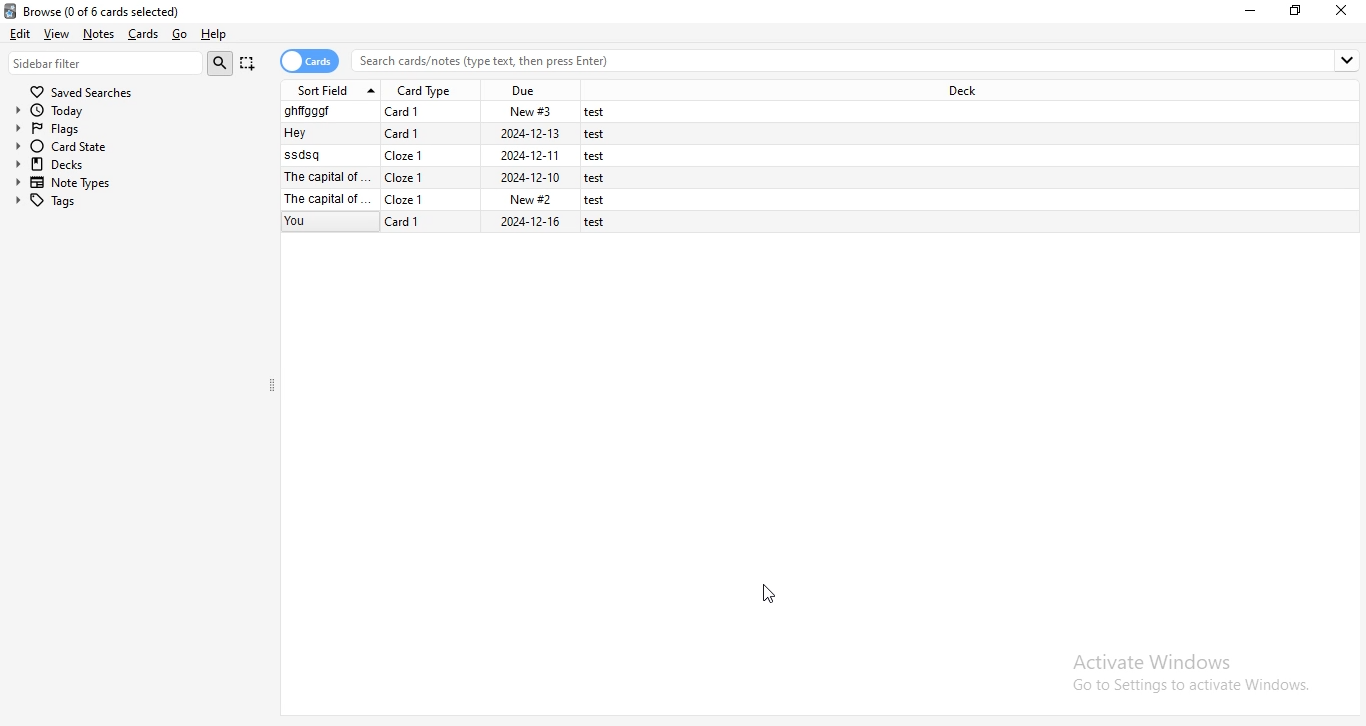  Describe the element at coordinates (131, 111) in the screenshot. I see `today` at that location.